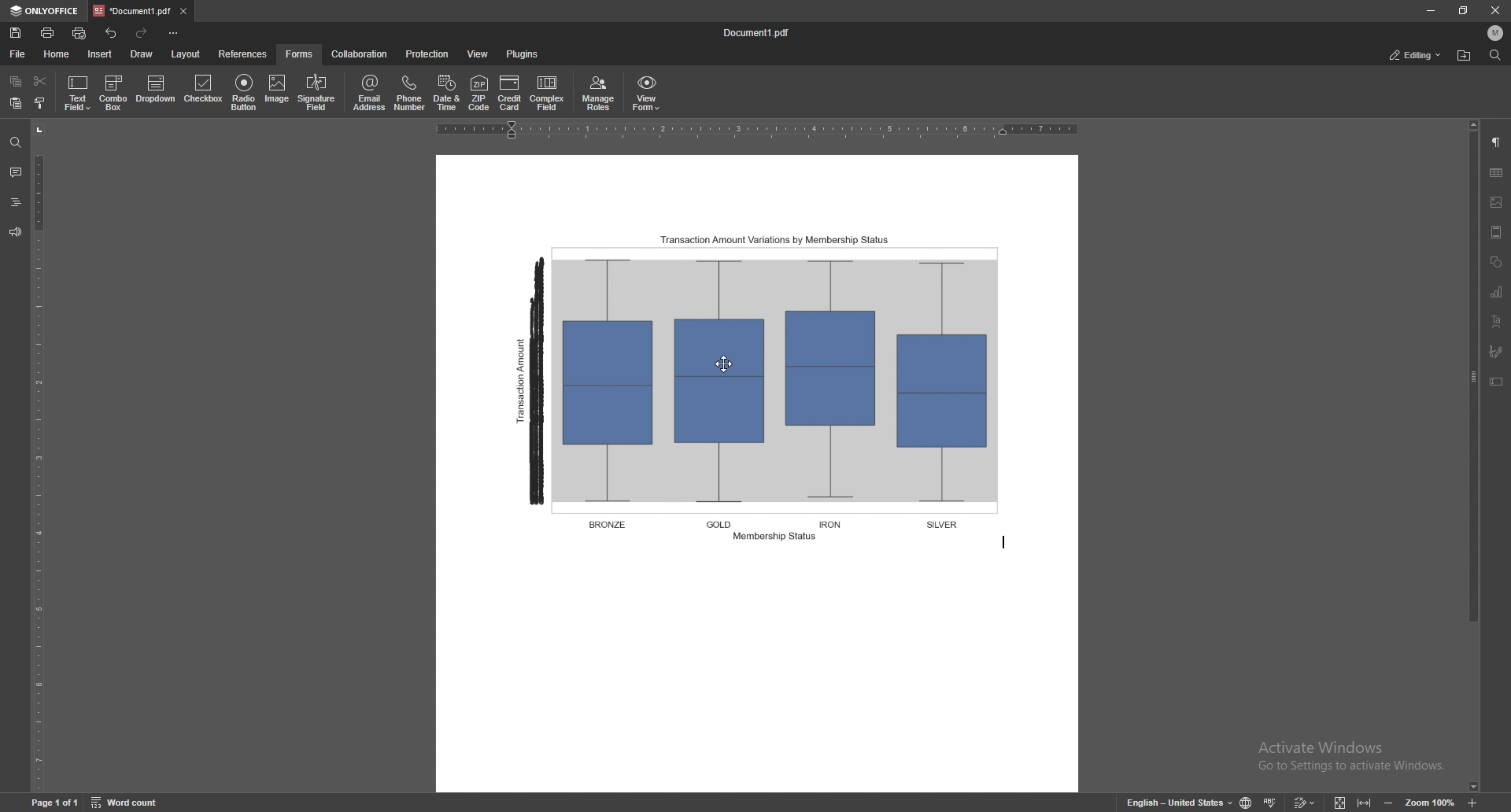  Describe the element at coordinates (759, 129) in the screenshot. I see `horizontal scale` at that location.